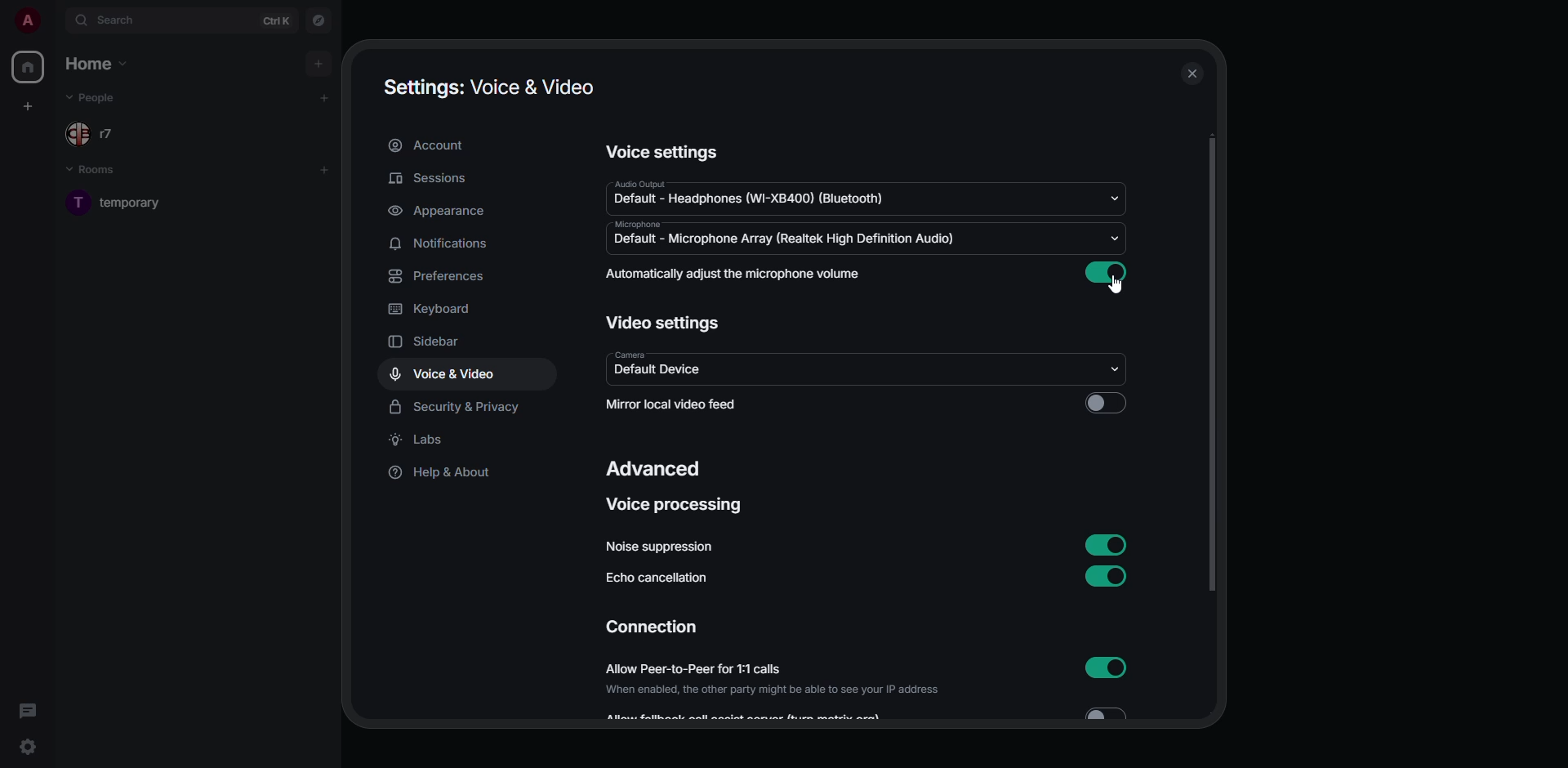 This screenshot has height=768, width=1568. I want to click on search, so click(113, 18).